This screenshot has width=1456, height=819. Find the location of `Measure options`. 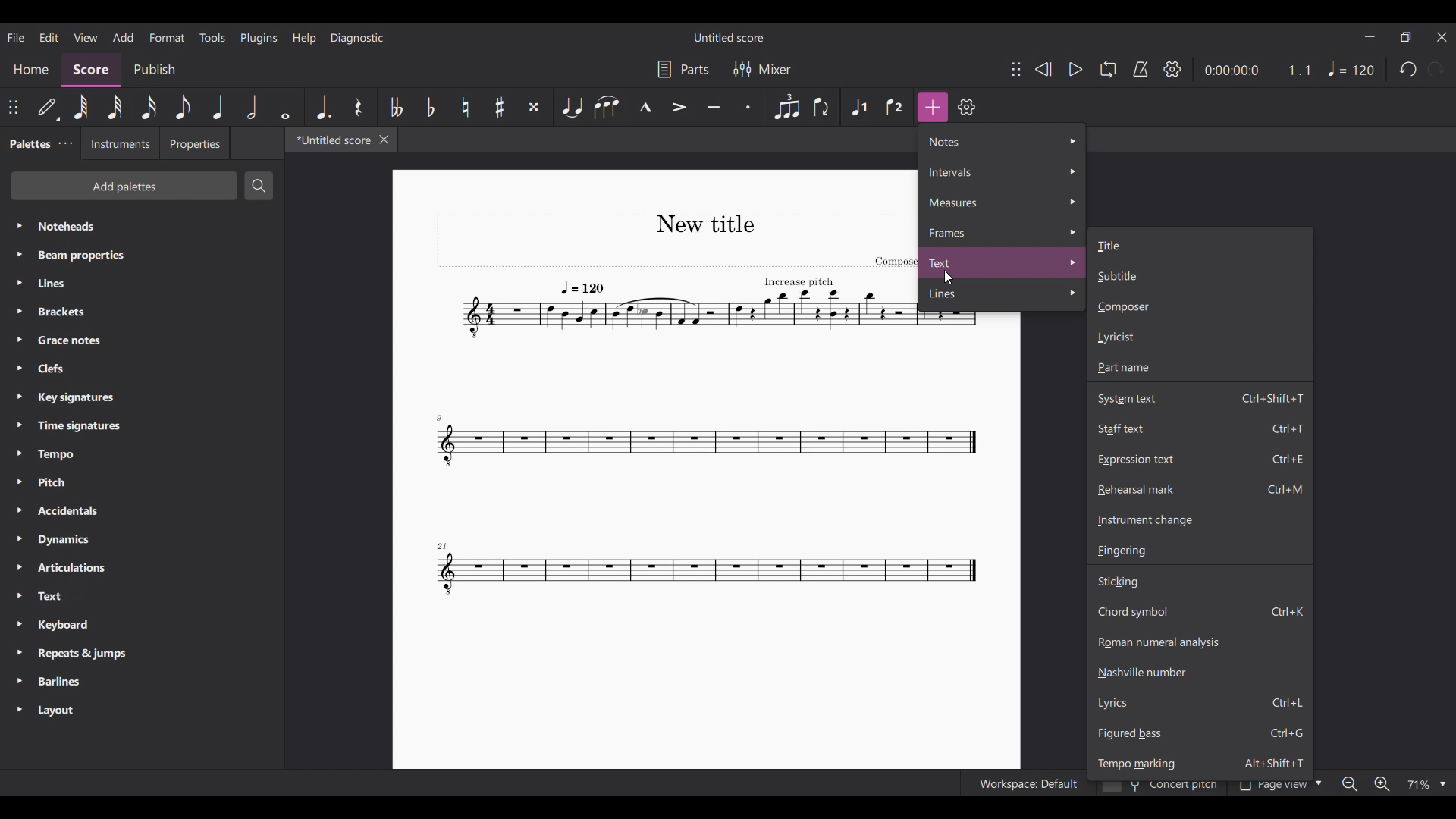

Measure options is located at coordinates (1002, 202).